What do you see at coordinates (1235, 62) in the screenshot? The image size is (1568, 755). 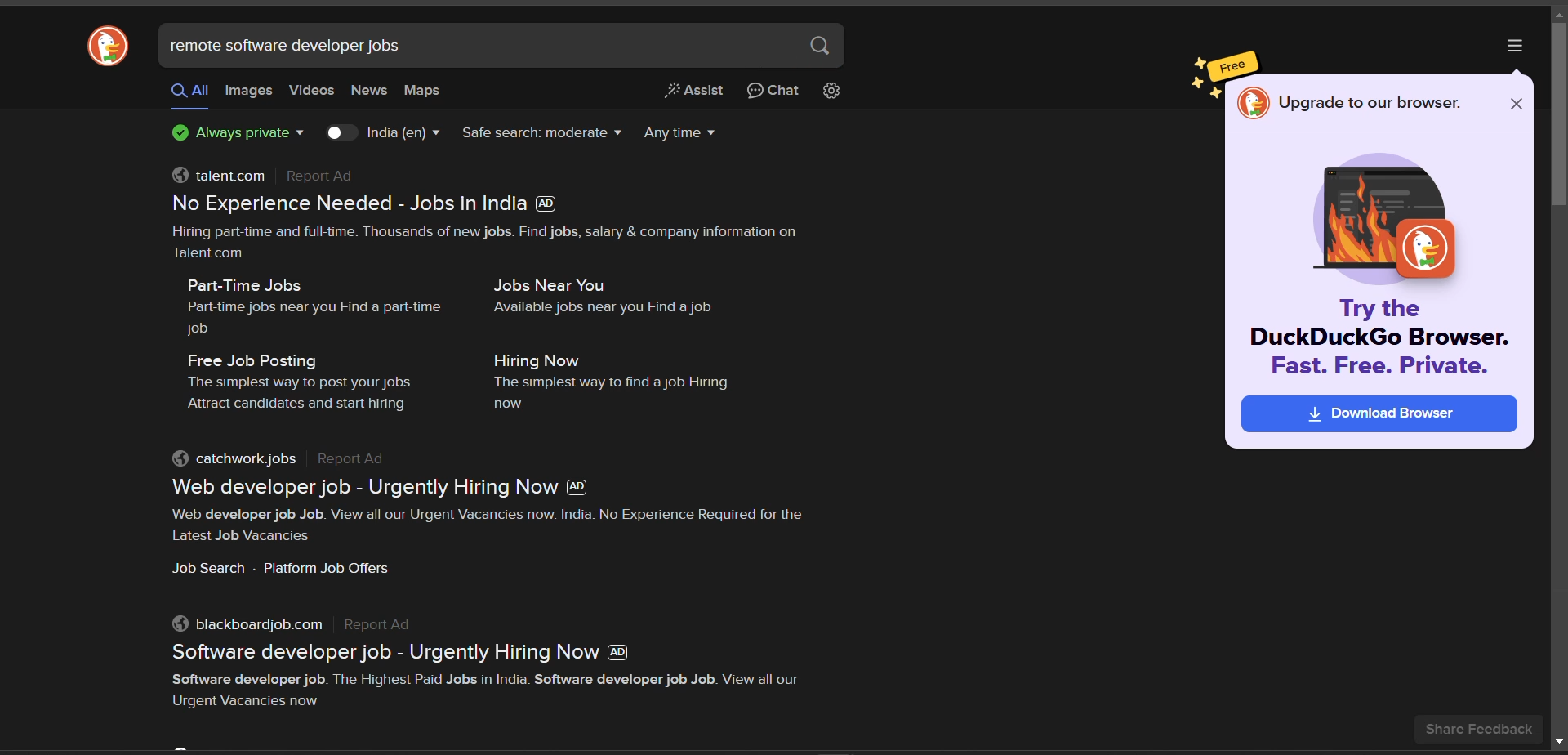 I see `free` at bounding box center [1235, 62].